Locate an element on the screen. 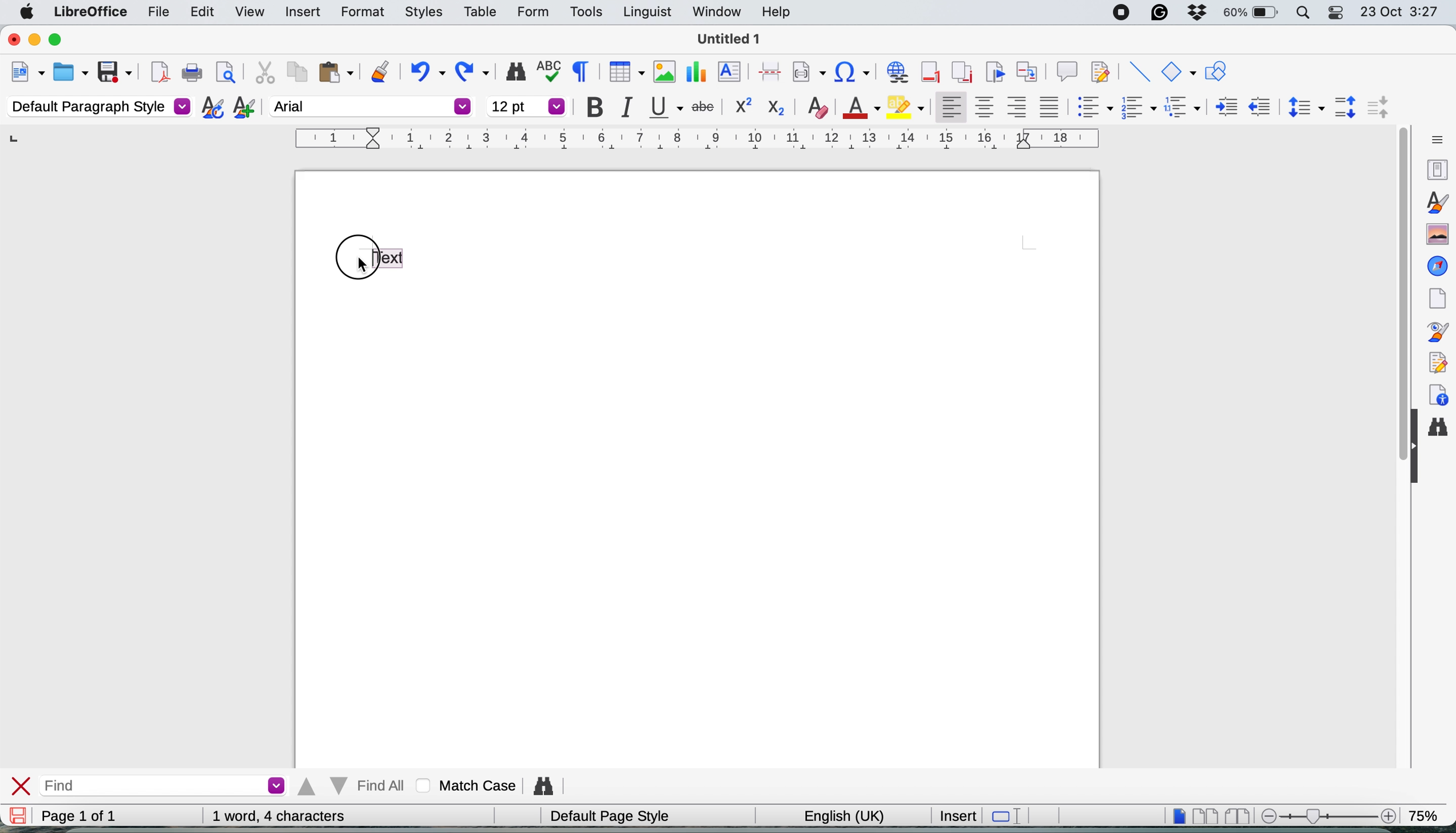 The height and width of the screenshot is (833, 1456). underline is located at coordinates (664, 109).